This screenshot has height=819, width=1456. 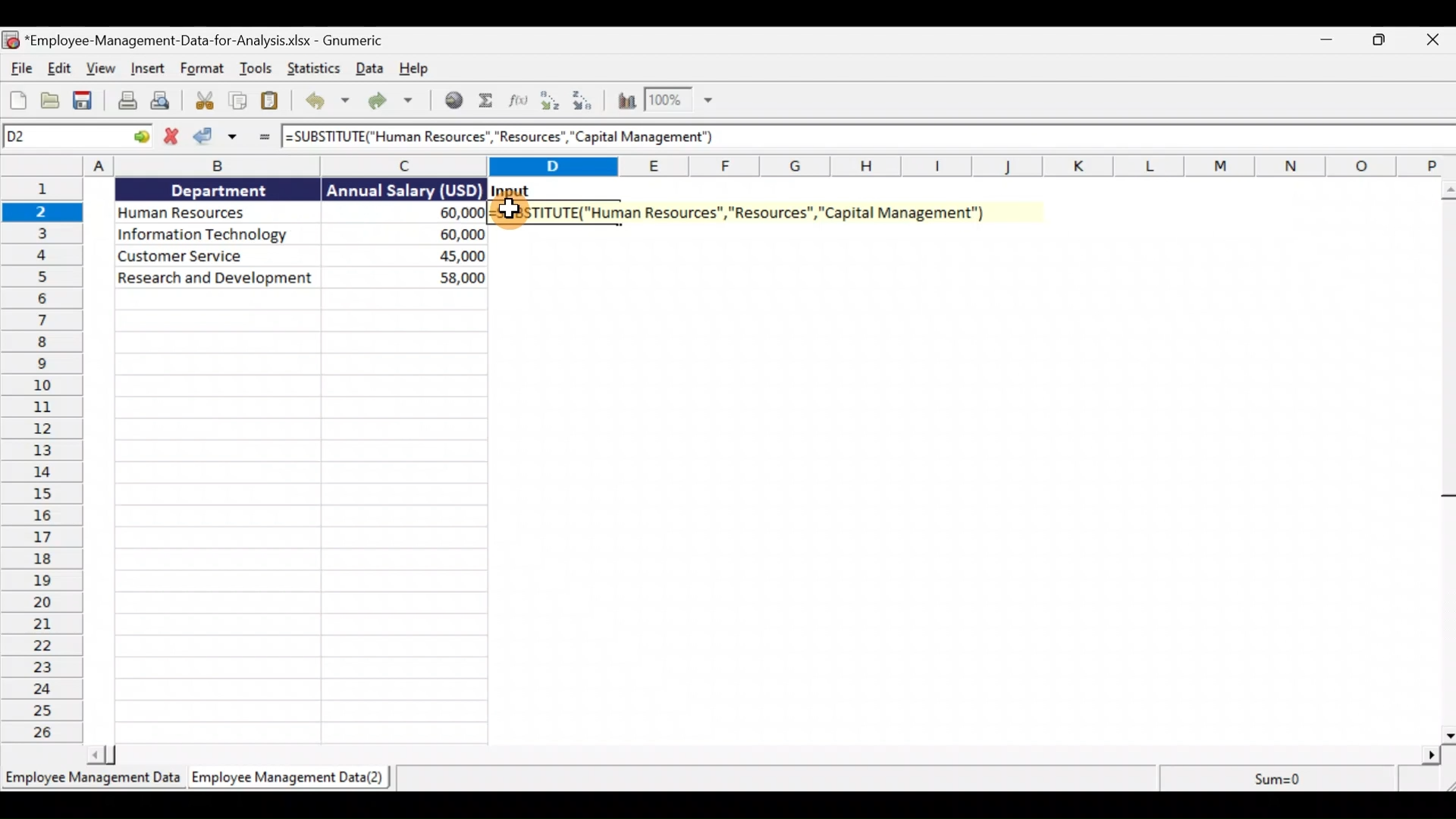 What do you see at coordinates (84, 102) in the screenshot?
I see `Save the current workbook` at bounding box center [84, 102].